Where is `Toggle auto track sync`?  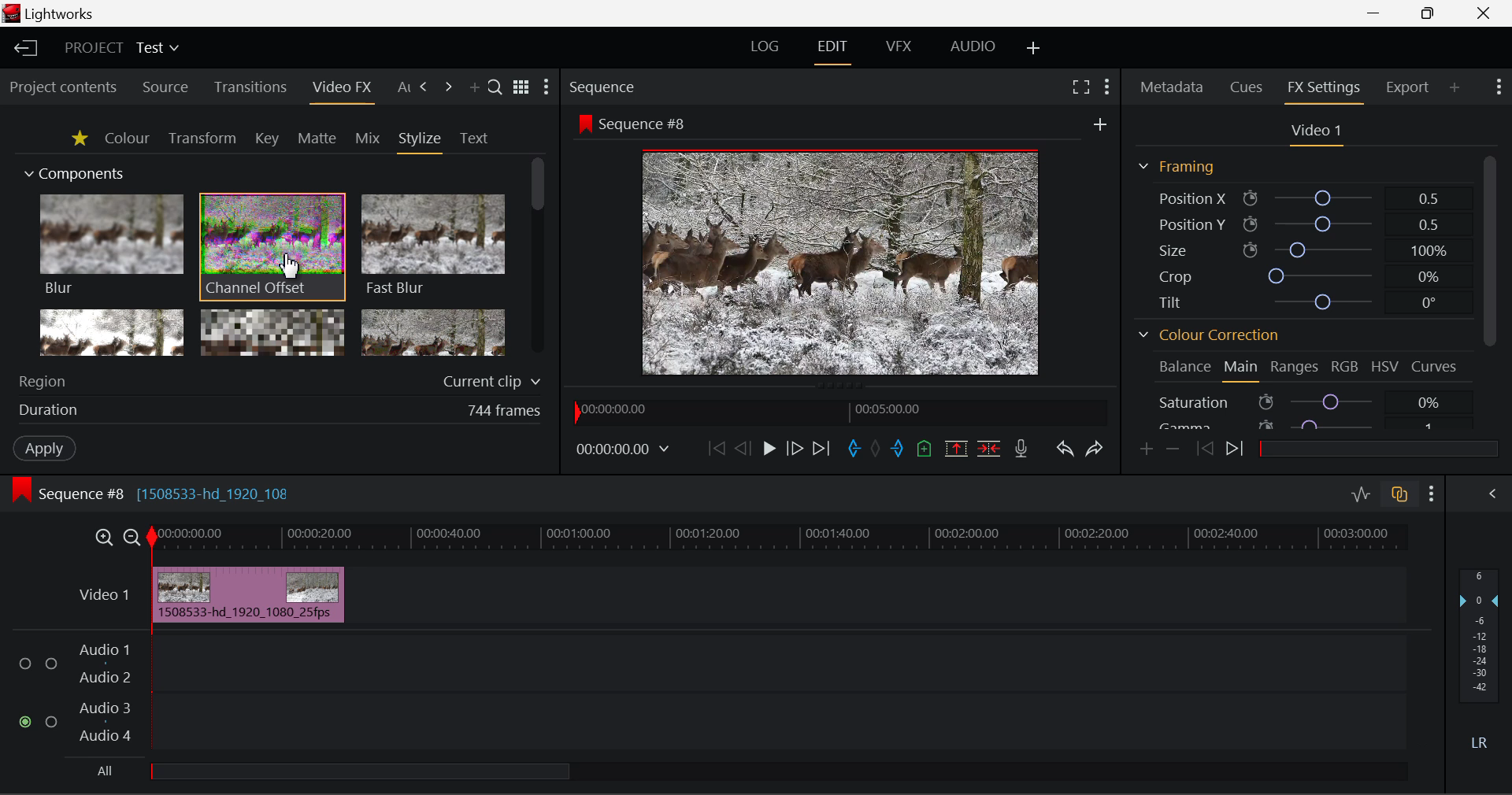
Toggle auto track sync is located at coordinates (1398, 494).